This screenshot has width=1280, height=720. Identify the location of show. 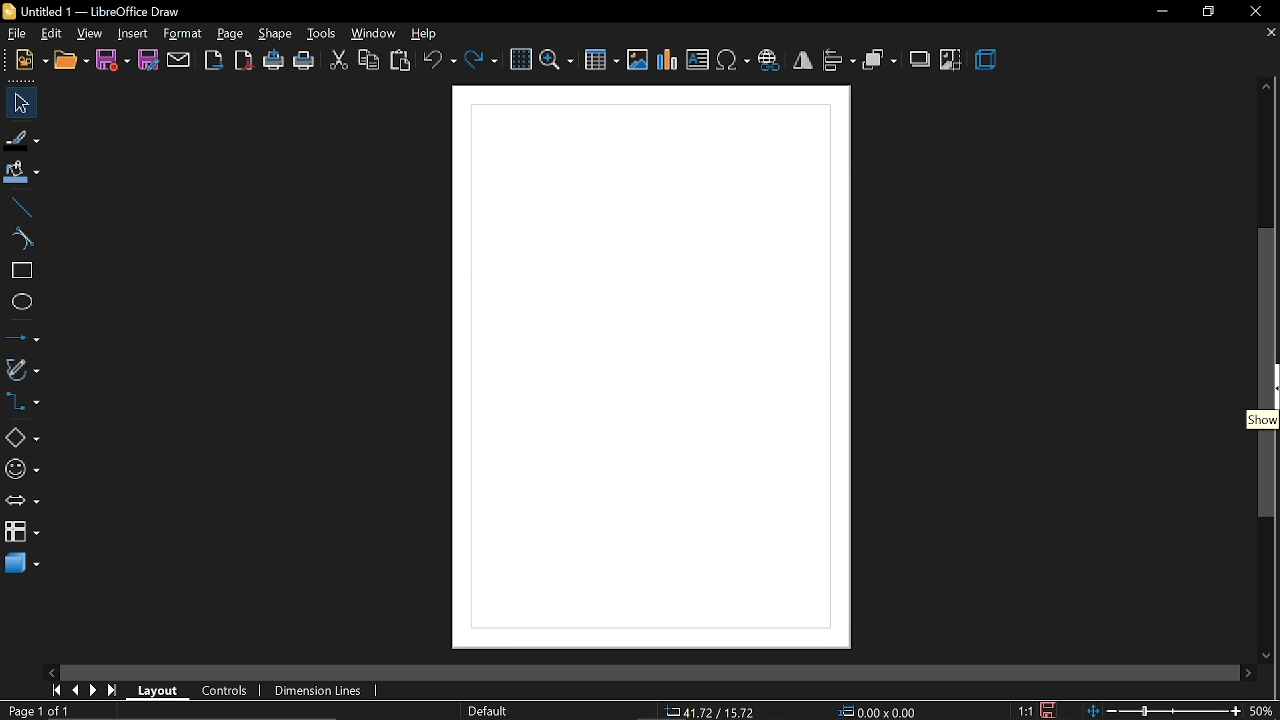
(1259, 419).